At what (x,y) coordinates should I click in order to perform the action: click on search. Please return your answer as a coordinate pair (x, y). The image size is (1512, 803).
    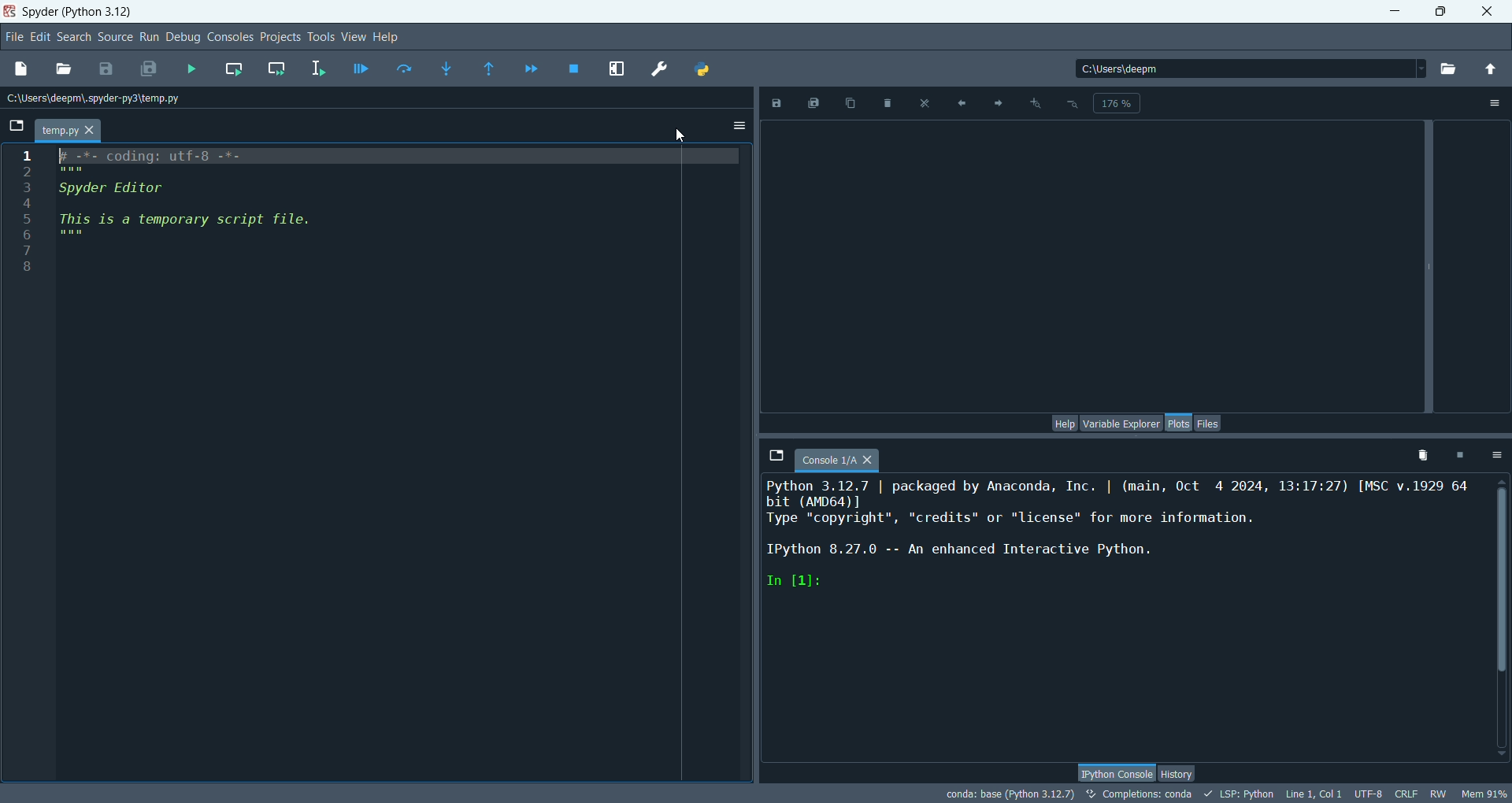
    Looking at the image, I should click on (74, 37).